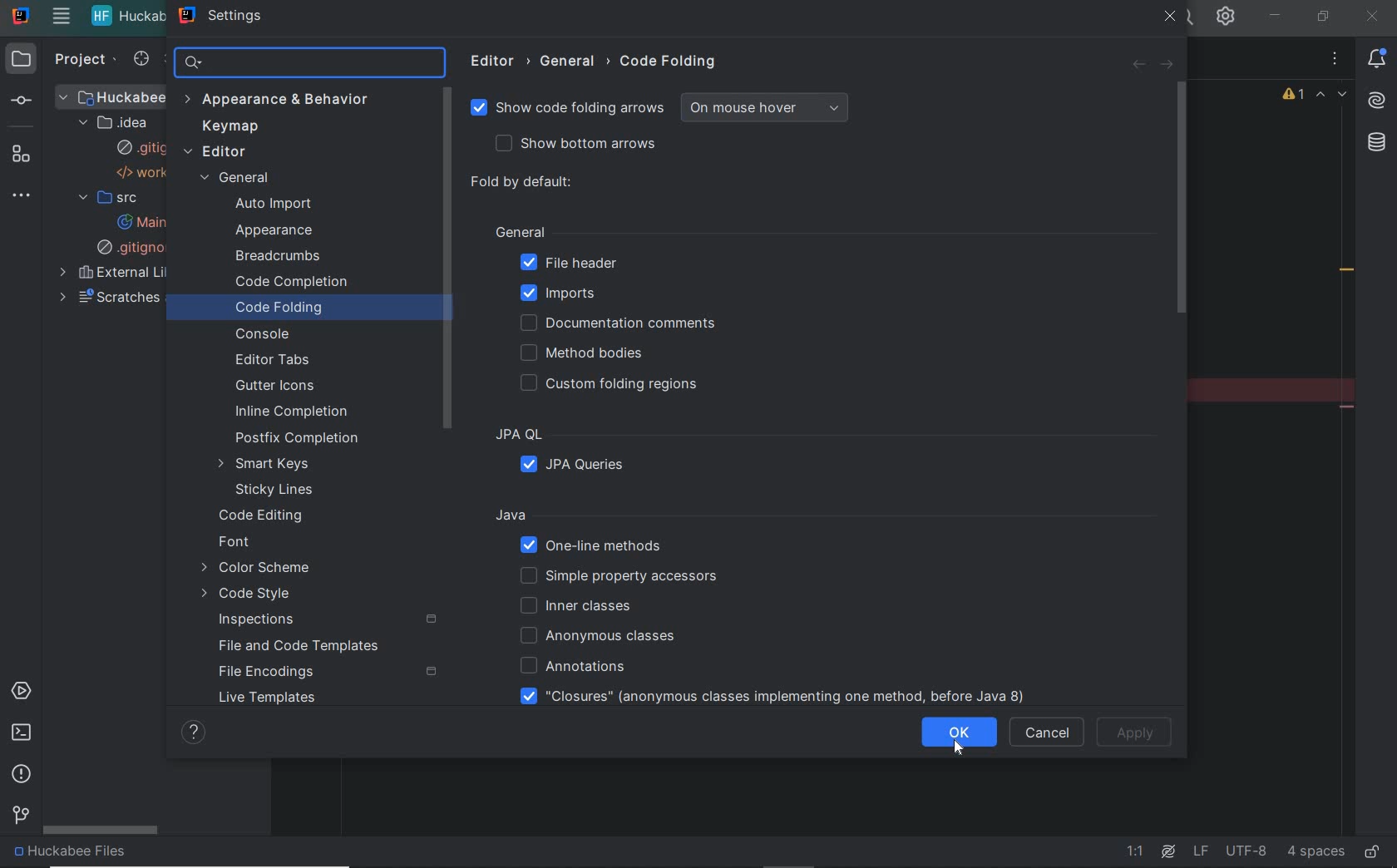  I want to click on project file name, so click(122, 855).